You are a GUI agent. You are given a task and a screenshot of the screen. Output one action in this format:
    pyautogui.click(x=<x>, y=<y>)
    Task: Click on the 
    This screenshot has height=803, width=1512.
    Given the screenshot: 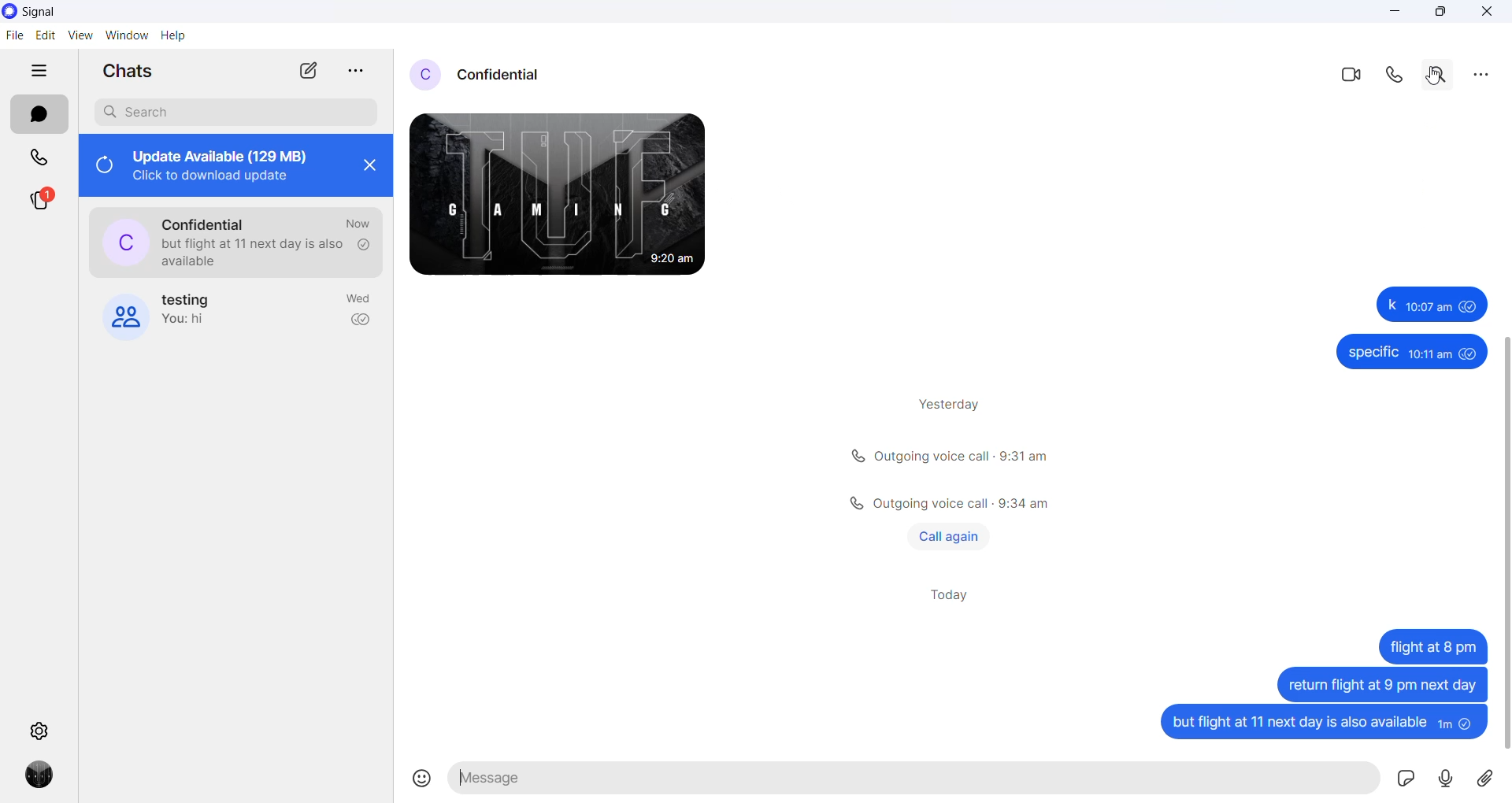 What is the action you would take?
    pyautogui.click(x=1410, y=353)
    